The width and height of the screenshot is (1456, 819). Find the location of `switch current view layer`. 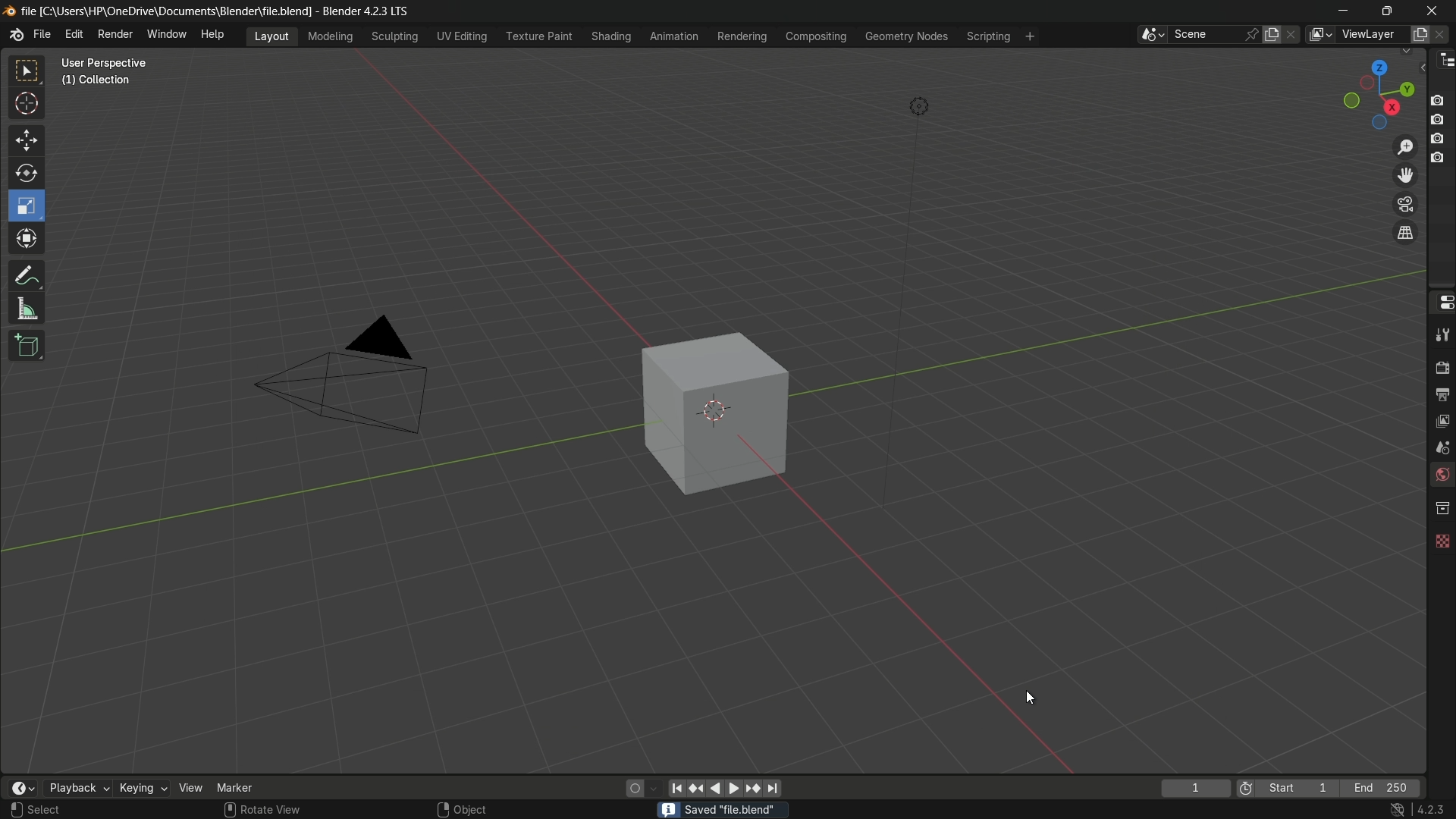

switch current view layer is located at coordinates (1405, 234).